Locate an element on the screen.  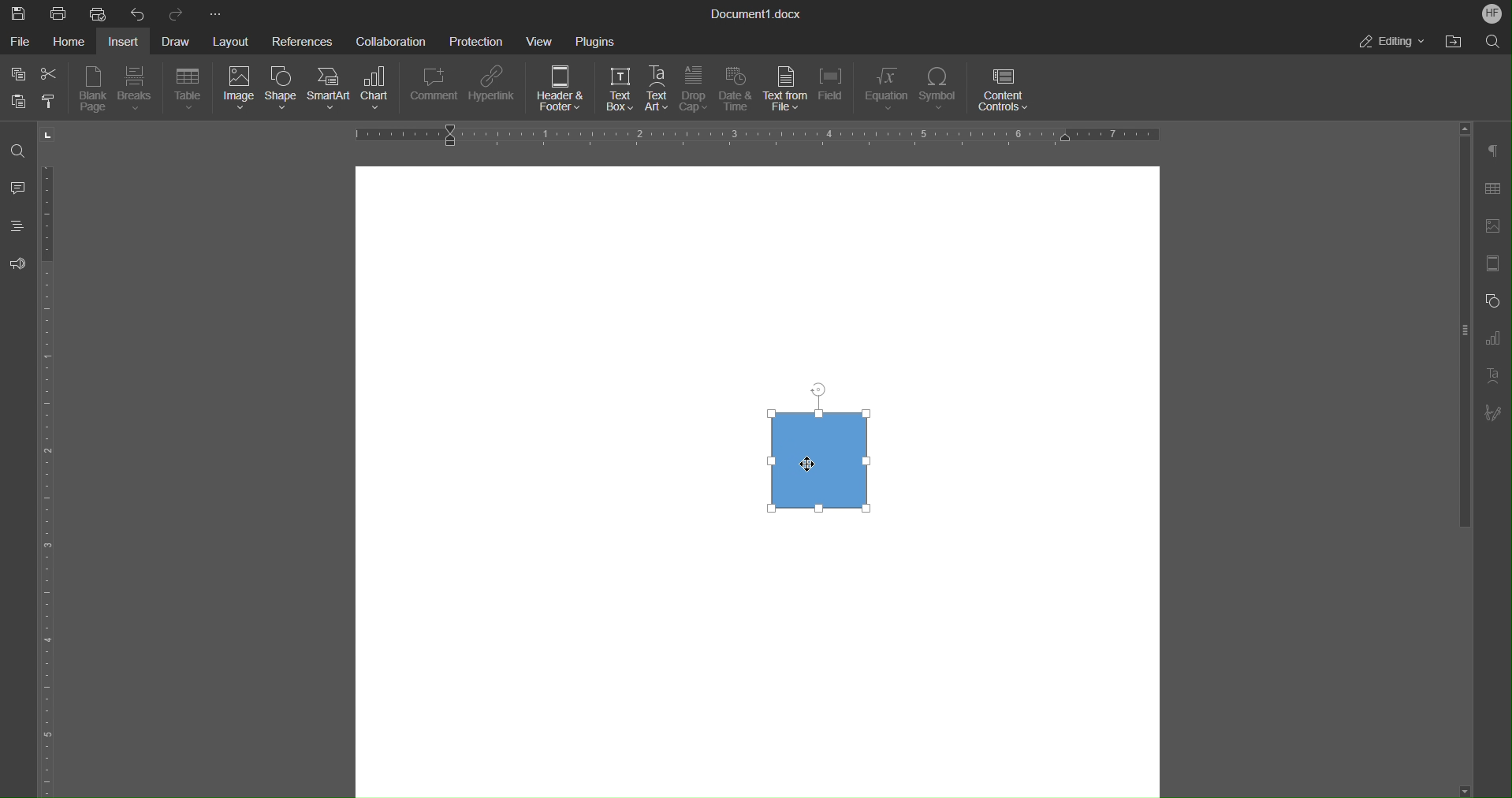
Shape Settings is located at coordinates (1496, 300).